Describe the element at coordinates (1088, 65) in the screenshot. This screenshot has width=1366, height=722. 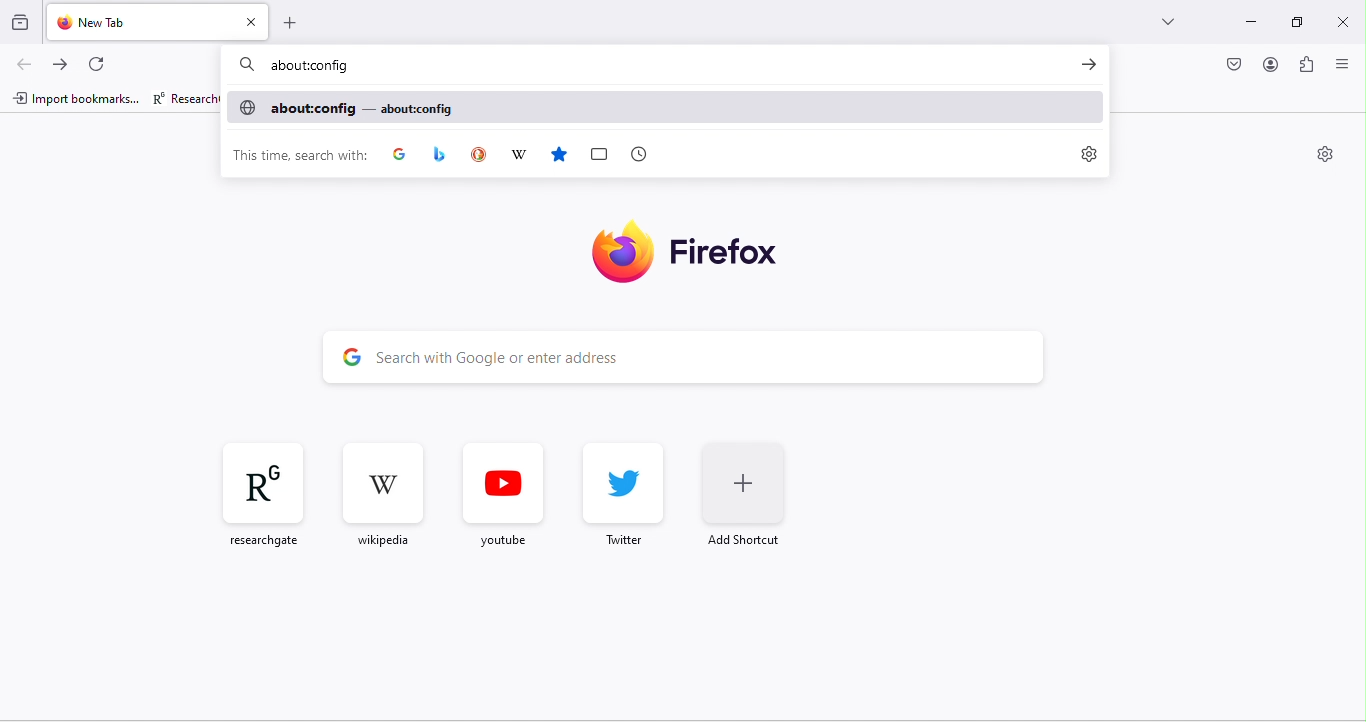
I see `go` at that location.